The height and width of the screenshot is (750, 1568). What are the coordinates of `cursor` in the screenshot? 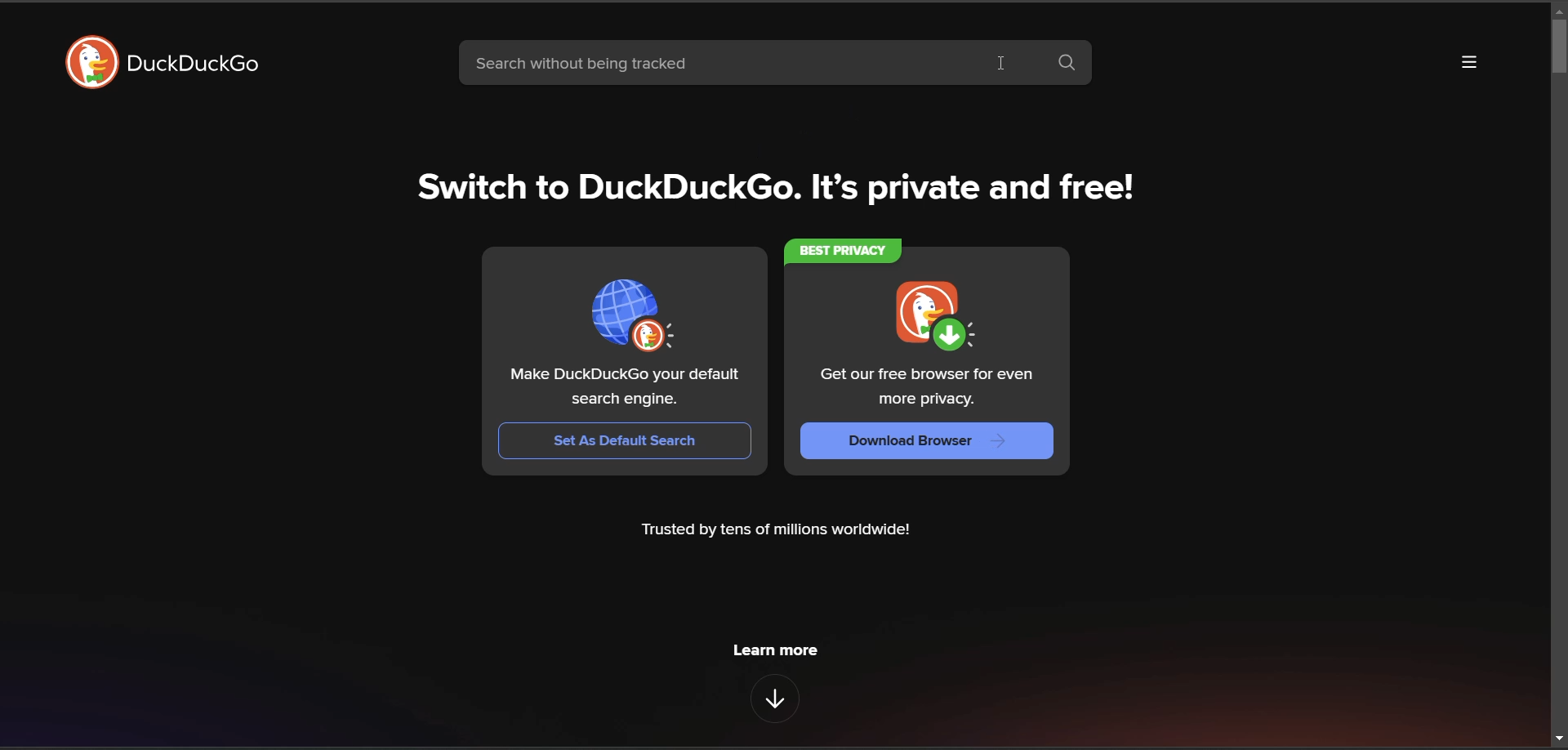 It's located at (1000, 61).